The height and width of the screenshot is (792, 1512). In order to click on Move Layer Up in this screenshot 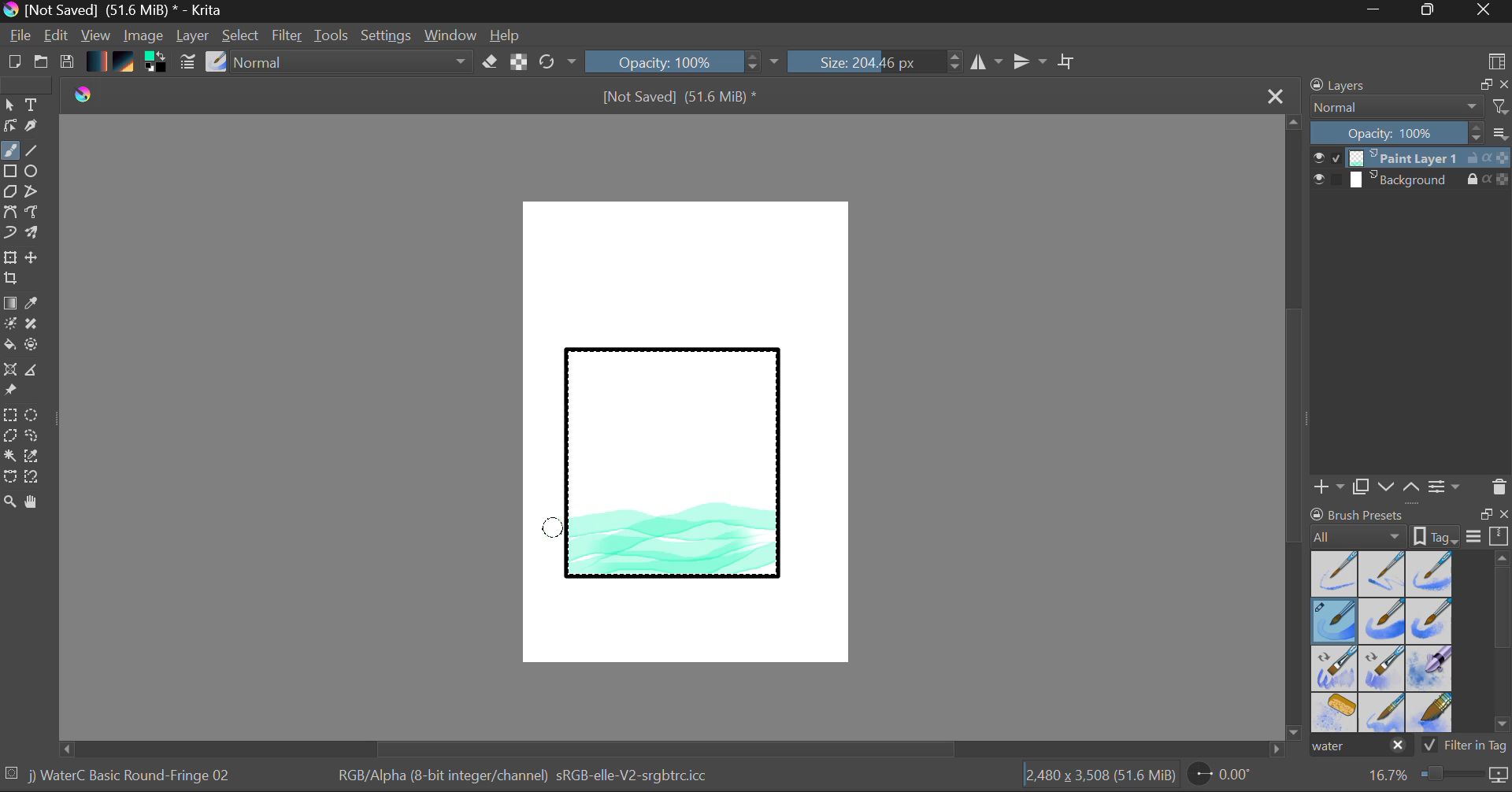, I will do `click(1412, 486)`.